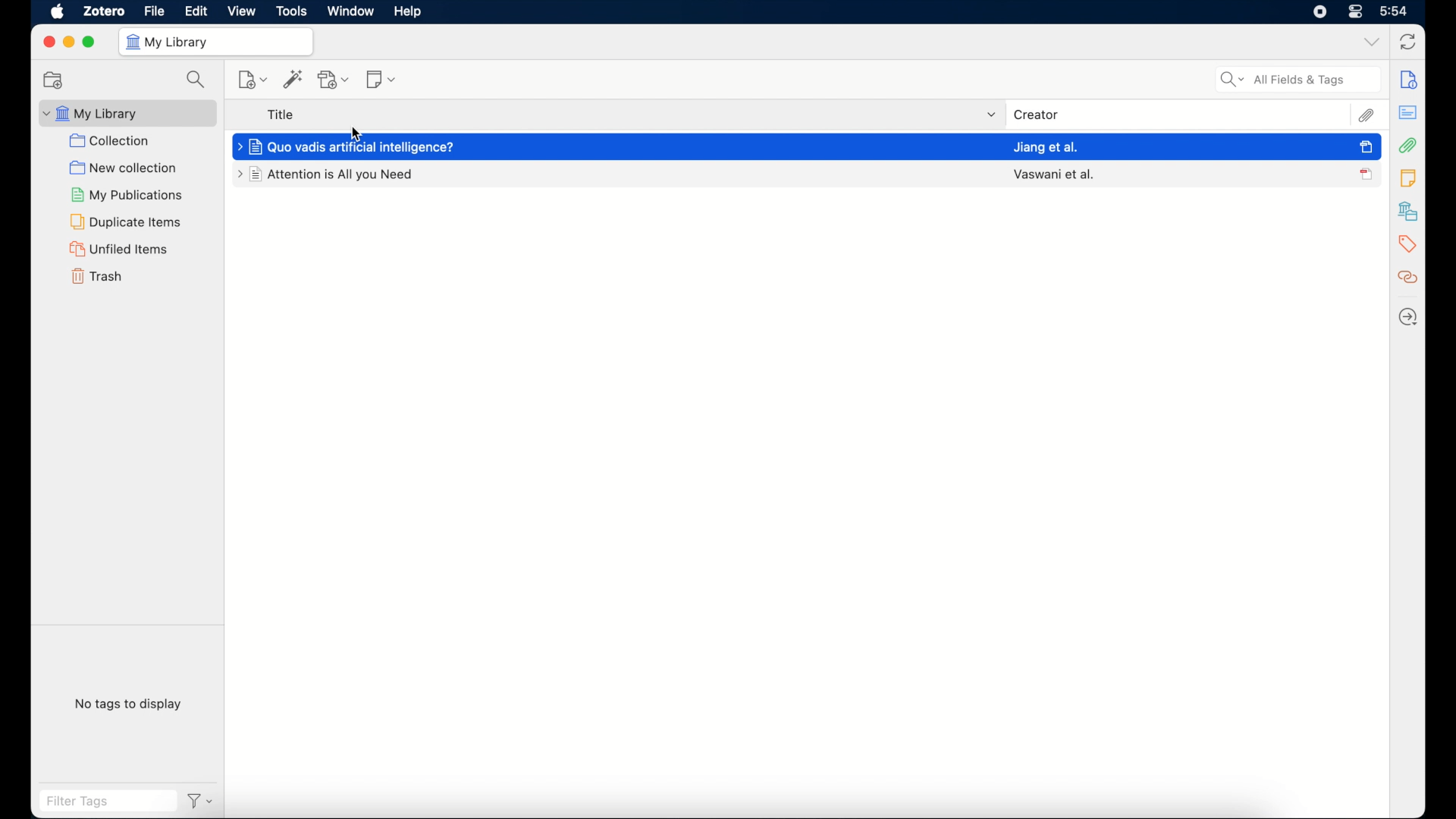 The image size is (1456, 819). Describe the element at coordinates (1393, 11) in the screenshot. I see `time` at that location.